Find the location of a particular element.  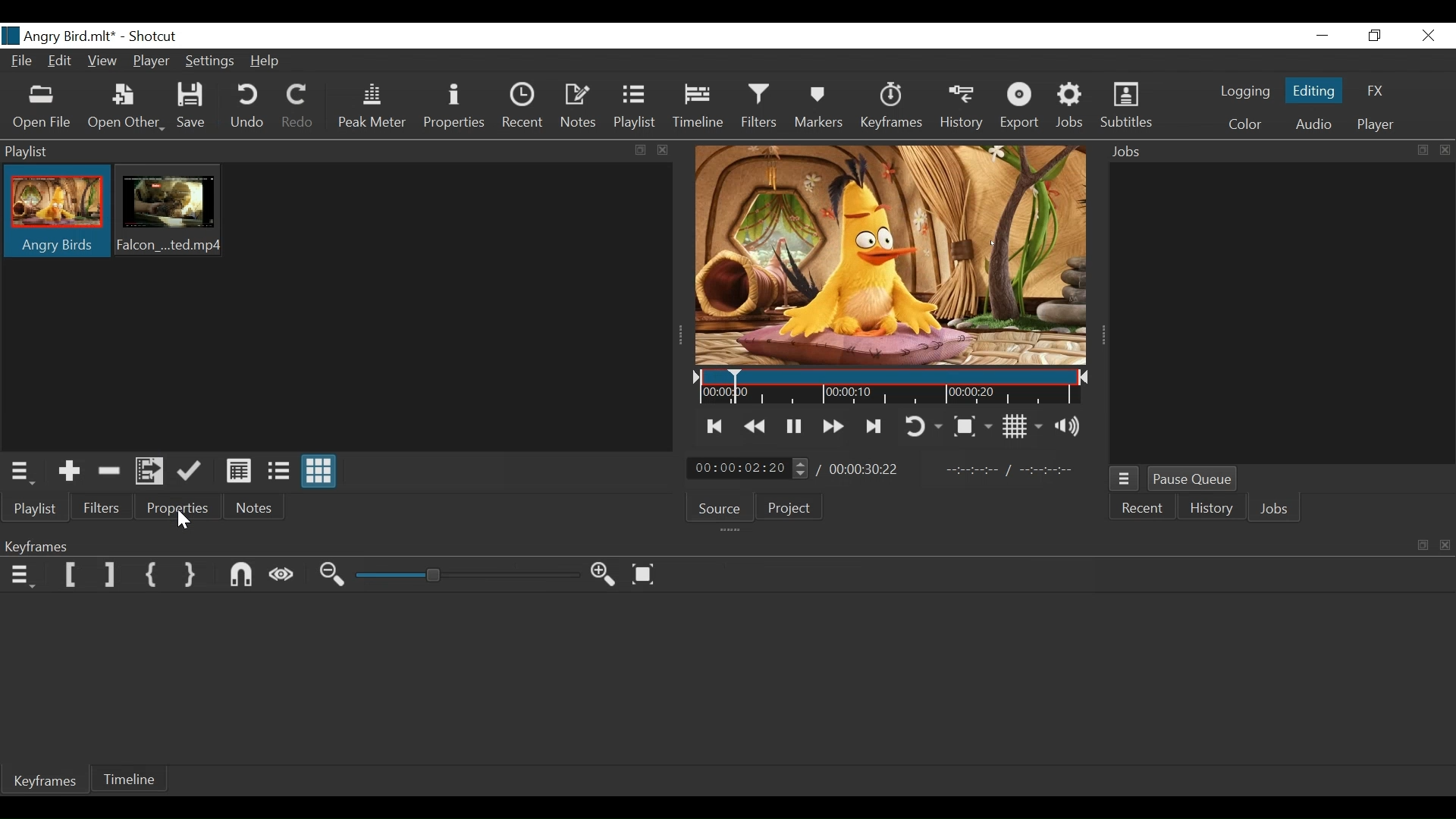

Timeline is located at coordinates (697, 109).